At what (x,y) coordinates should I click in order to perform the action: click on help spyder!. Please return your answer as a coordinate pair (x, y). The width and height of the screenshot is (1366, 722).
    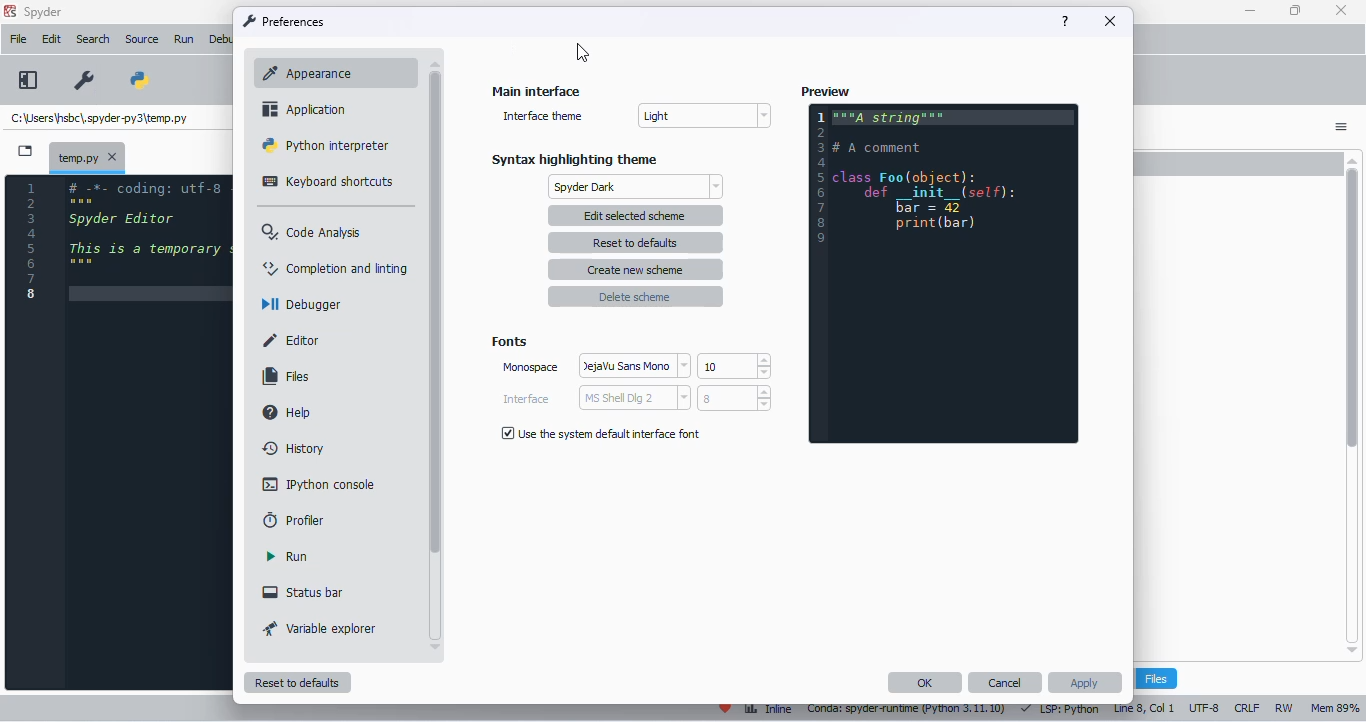
    Looking at the image, I should click on (726, 710).